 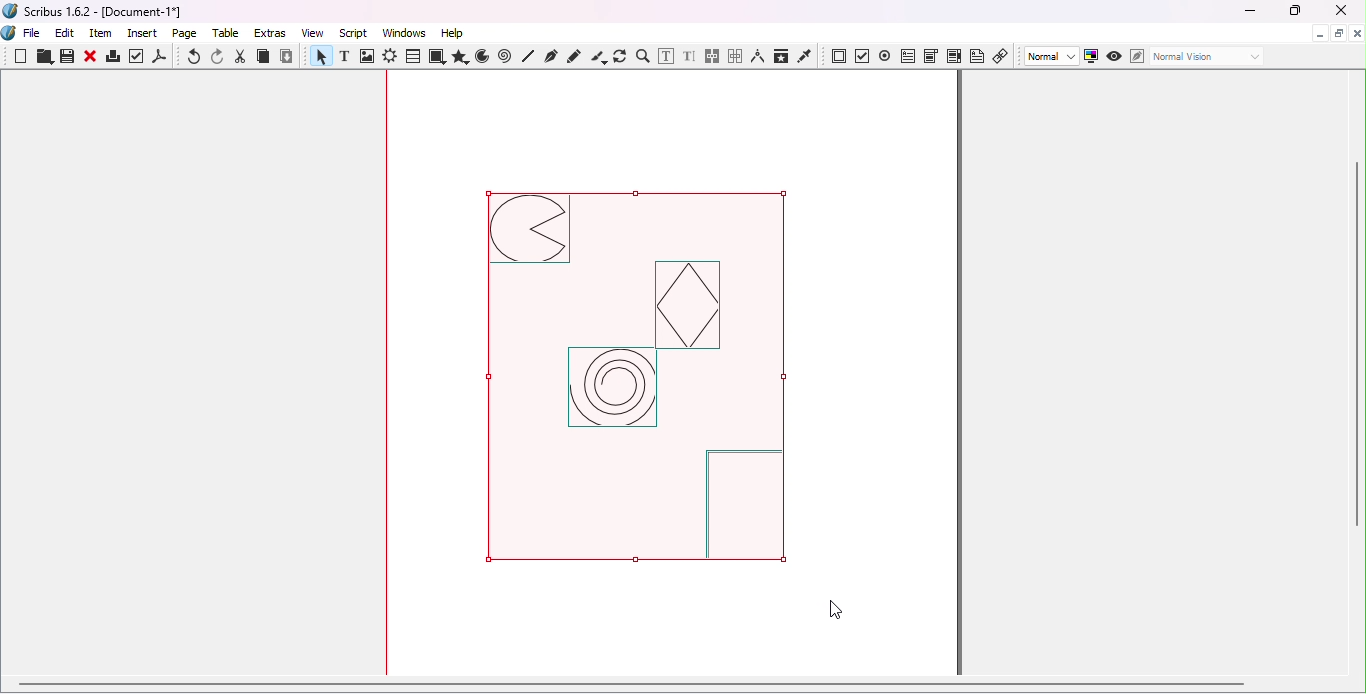 What do you see at coordinates (930, 56) in the screenshot?
I see `PDF combo box` at bounding box center [930, 56].